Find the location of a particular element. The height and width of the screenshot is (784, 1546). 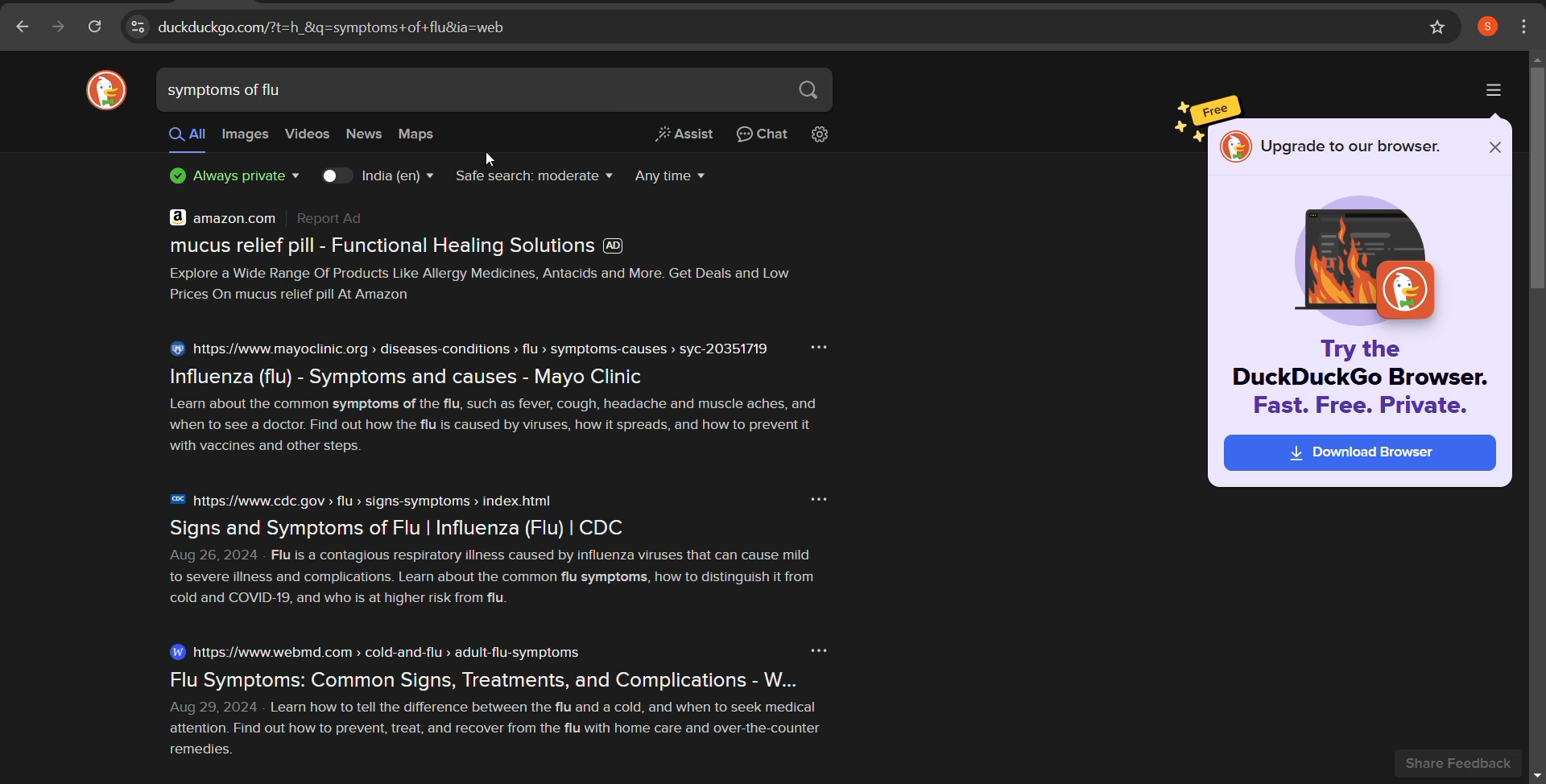

Aug 26, 2024 - Flu is a contagious respiratory illness caused by influenza viruses that can cause mild
to severe illness and complications. Learn about the common flu symptoms, how to distinguish it from
cold and COVID-19, and who is at higher risk from flu. is located at coordinates (502, 580).